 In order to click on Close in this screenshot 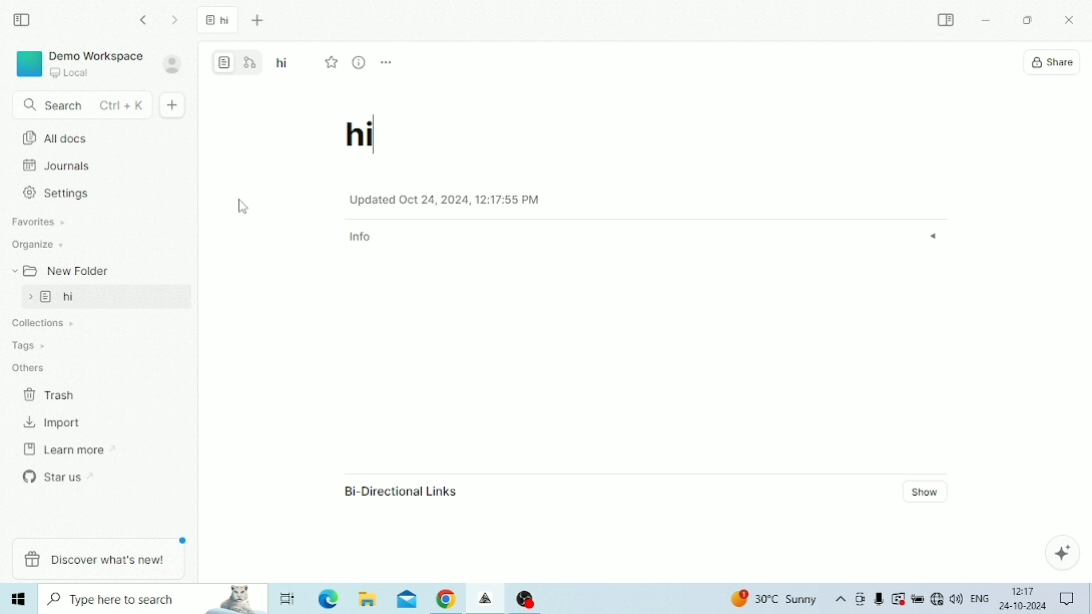, I will do `click(1072, 21)`.